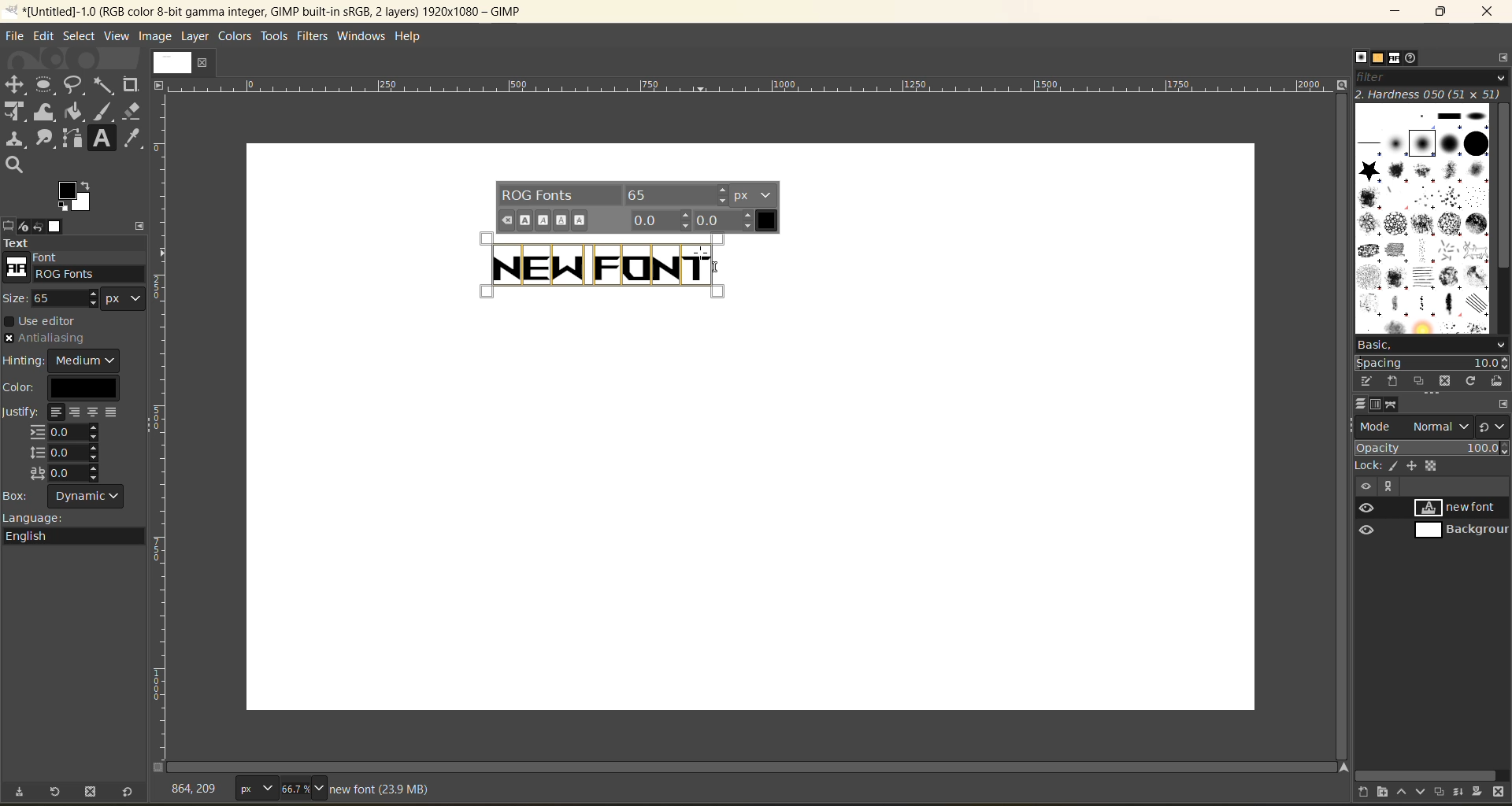 This screenshot has height=806, width=1512. What do you see at coordinates (305, 787) in the screenshot?
I see `zoom` at bounding box center [305, 787].